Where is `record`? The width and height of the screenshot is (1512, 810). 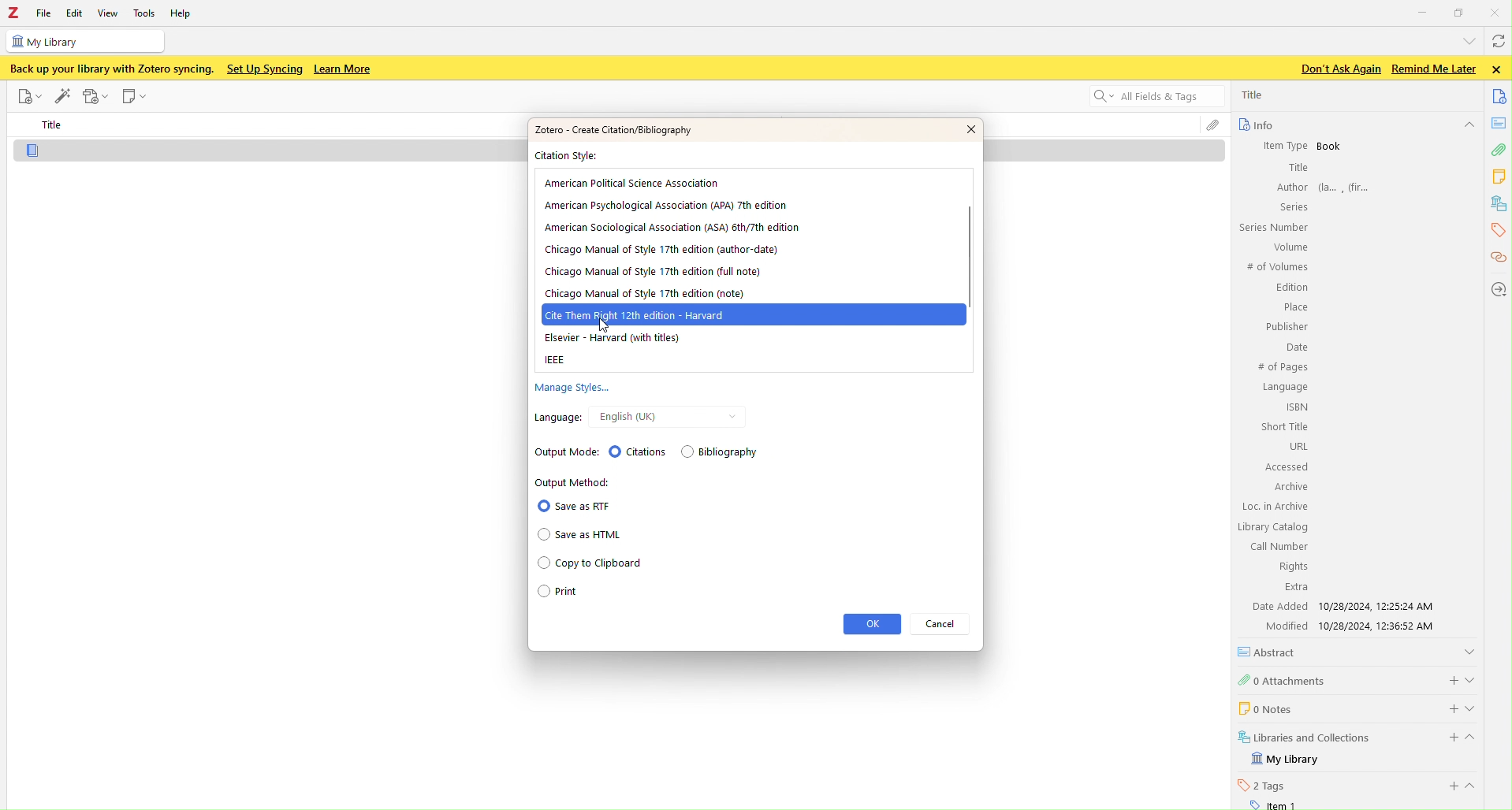
record is located at coordinates (96, 96).